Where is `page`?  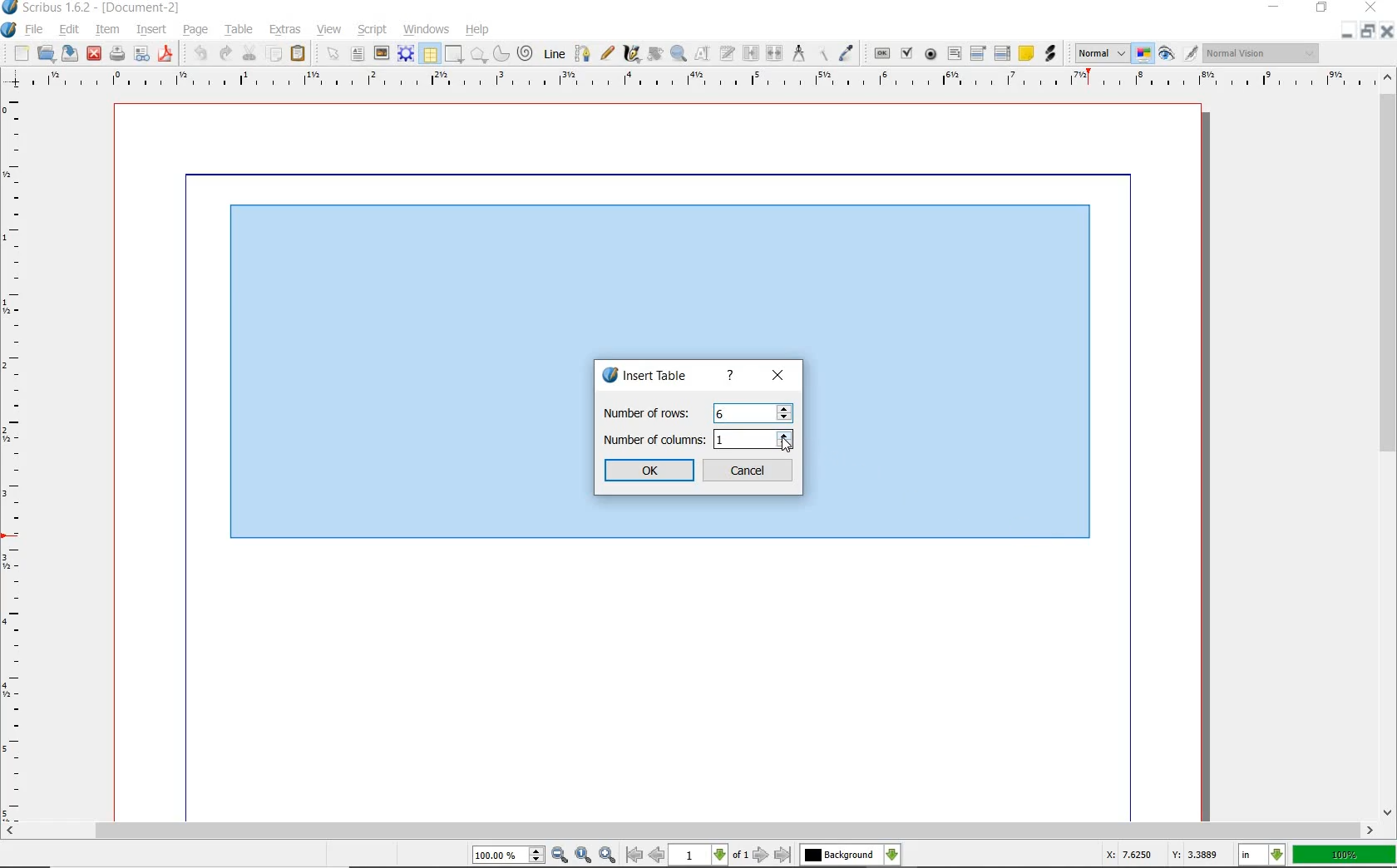
page is located at coordinates (198, 32).